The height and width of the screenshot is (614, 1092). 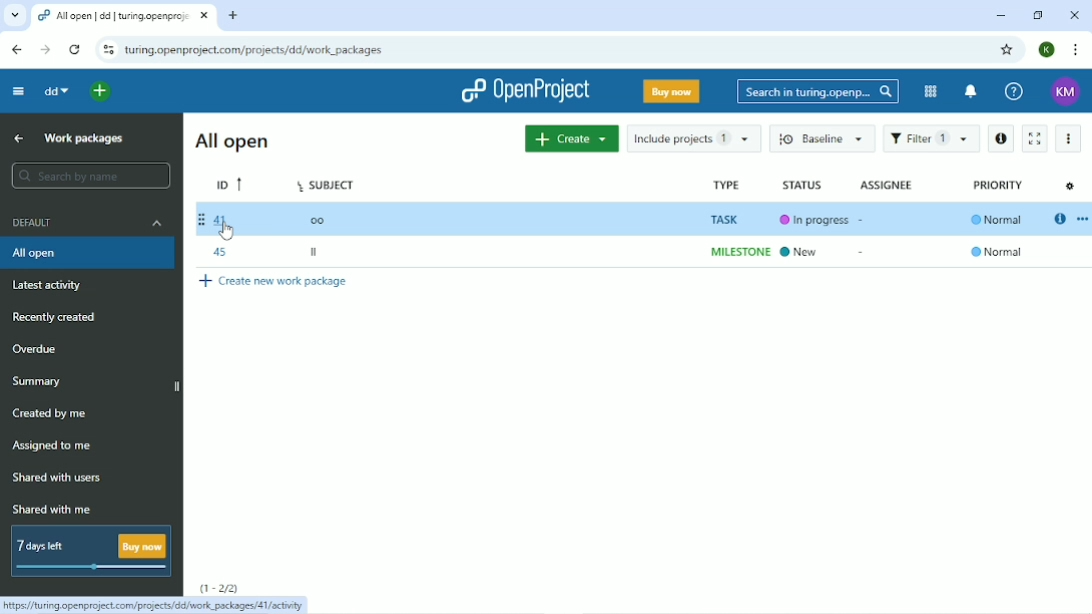 What do you see at coordinates (1035, 15) in the screenshot?
I see `Restore down` at bounding box center [1035, 15].